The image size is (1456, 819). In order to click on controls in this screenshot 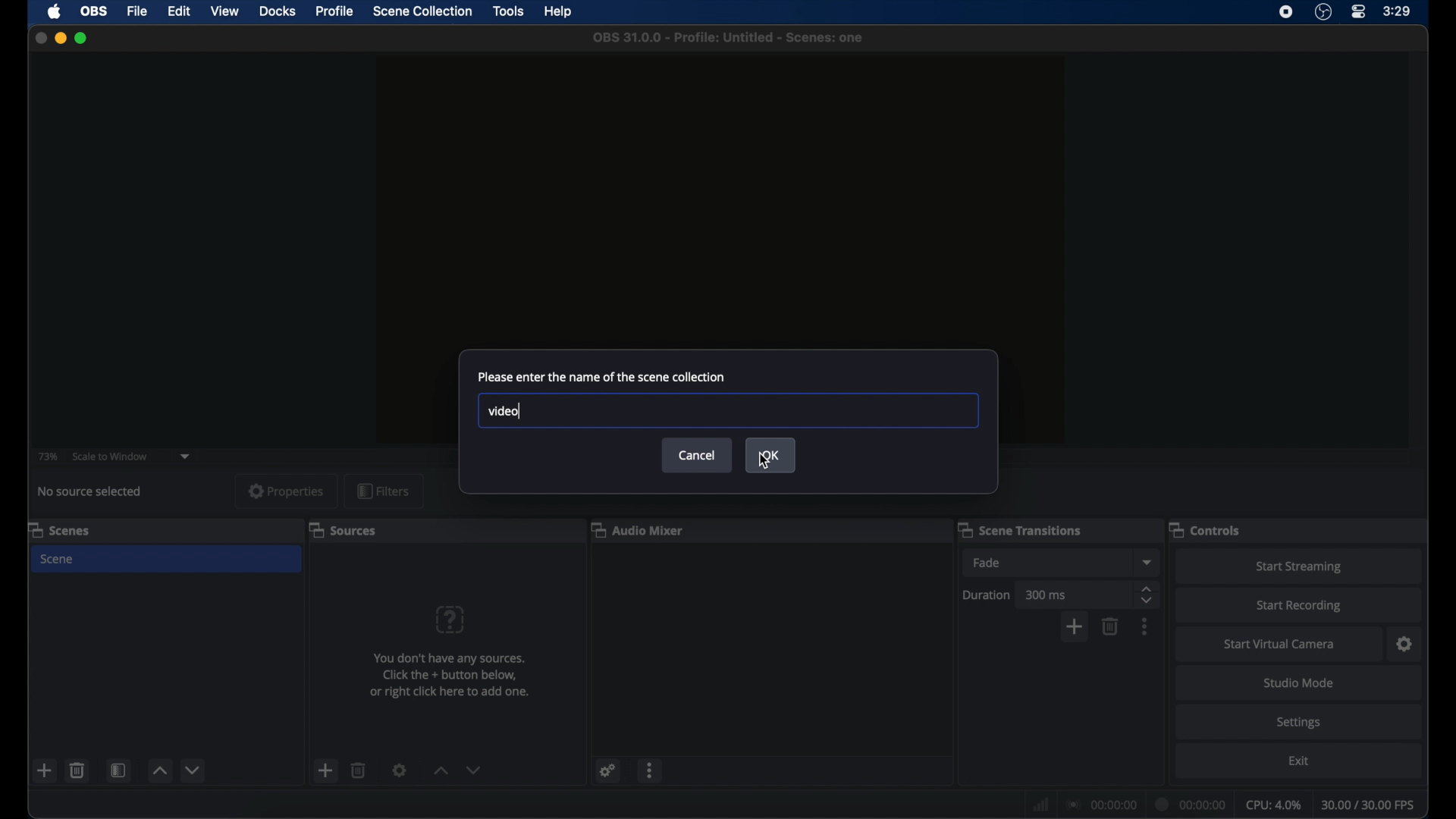, I will do `click(1206, 529)`.